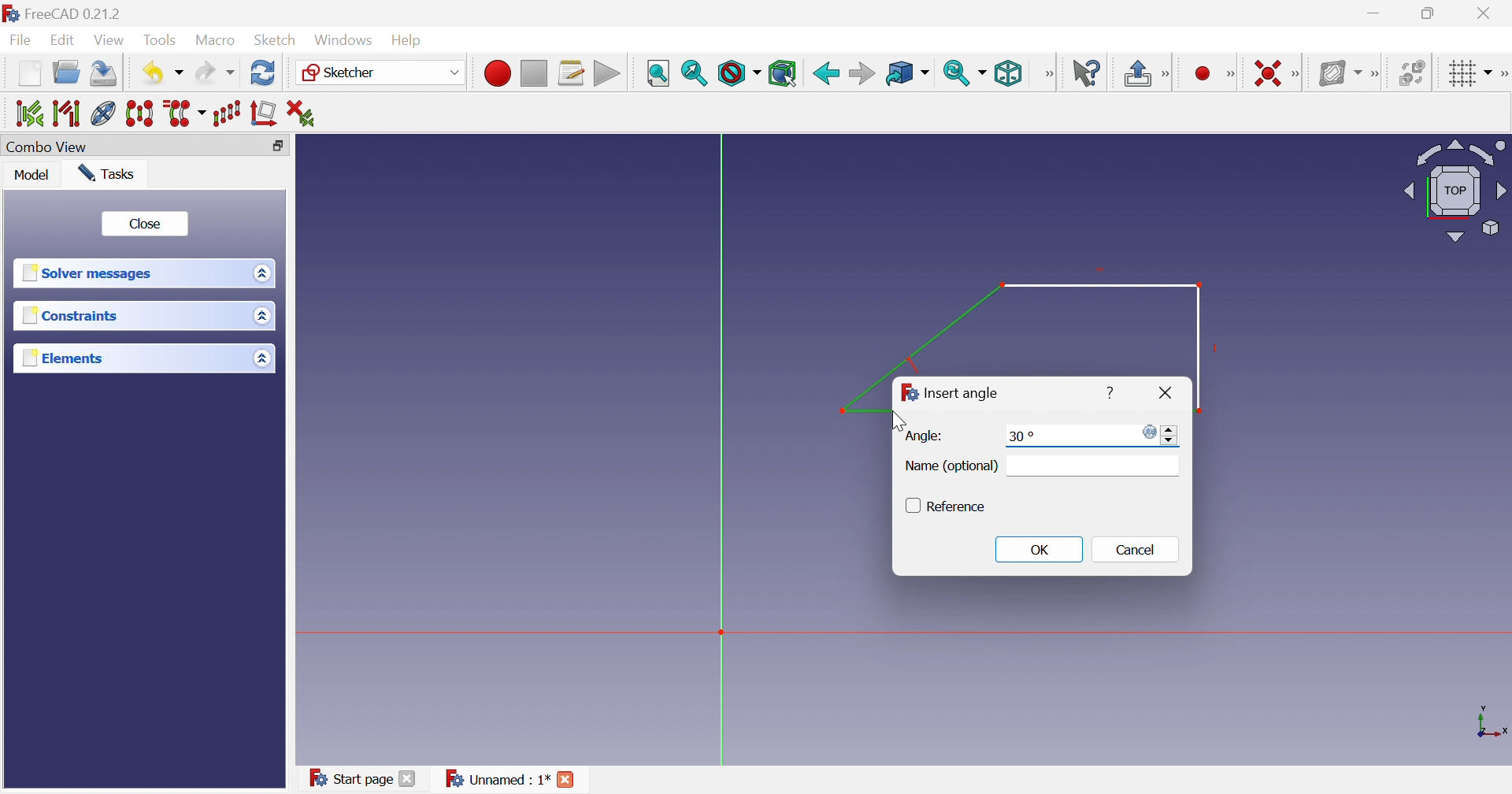 This screenshot has height=794, width=1512. Describe the element at coordinates (276, 40) in the screenshot. I see `Sketch` at that location.